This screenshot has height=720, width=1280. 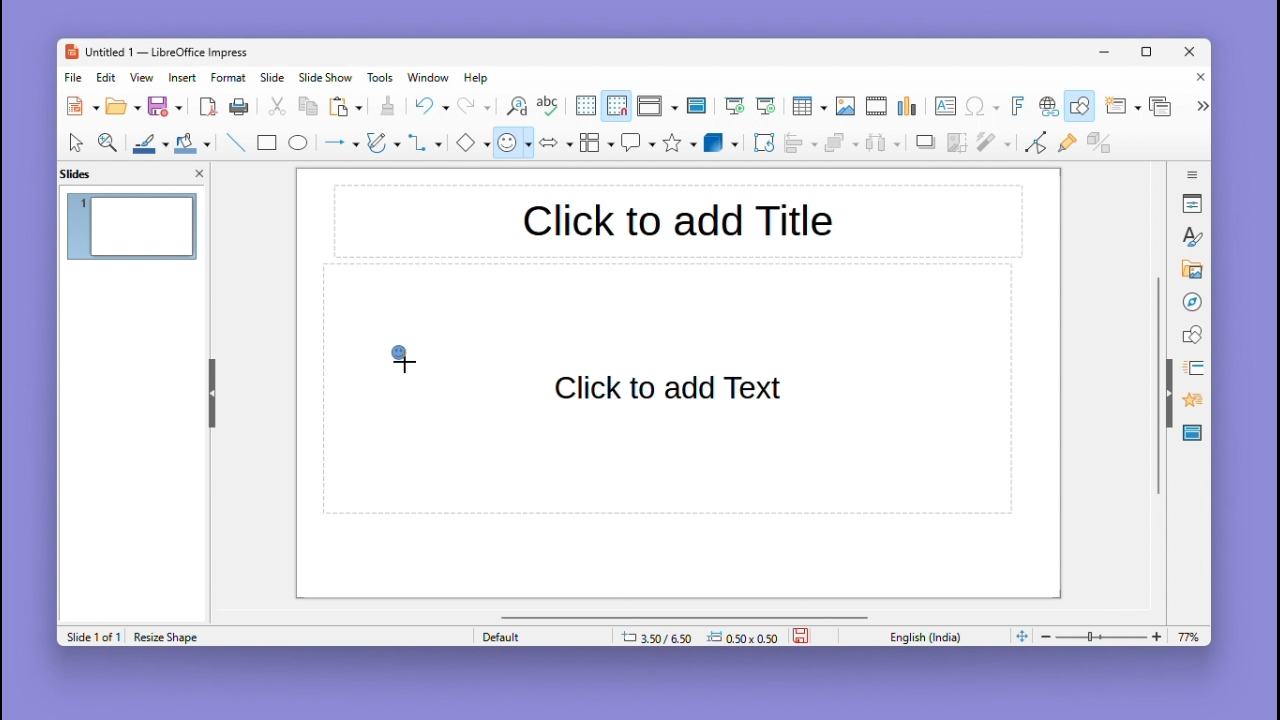 What do you see at coordinates (265, 142) in the screenshot?
I see `Rectangle` at bounding box center [265, 142].